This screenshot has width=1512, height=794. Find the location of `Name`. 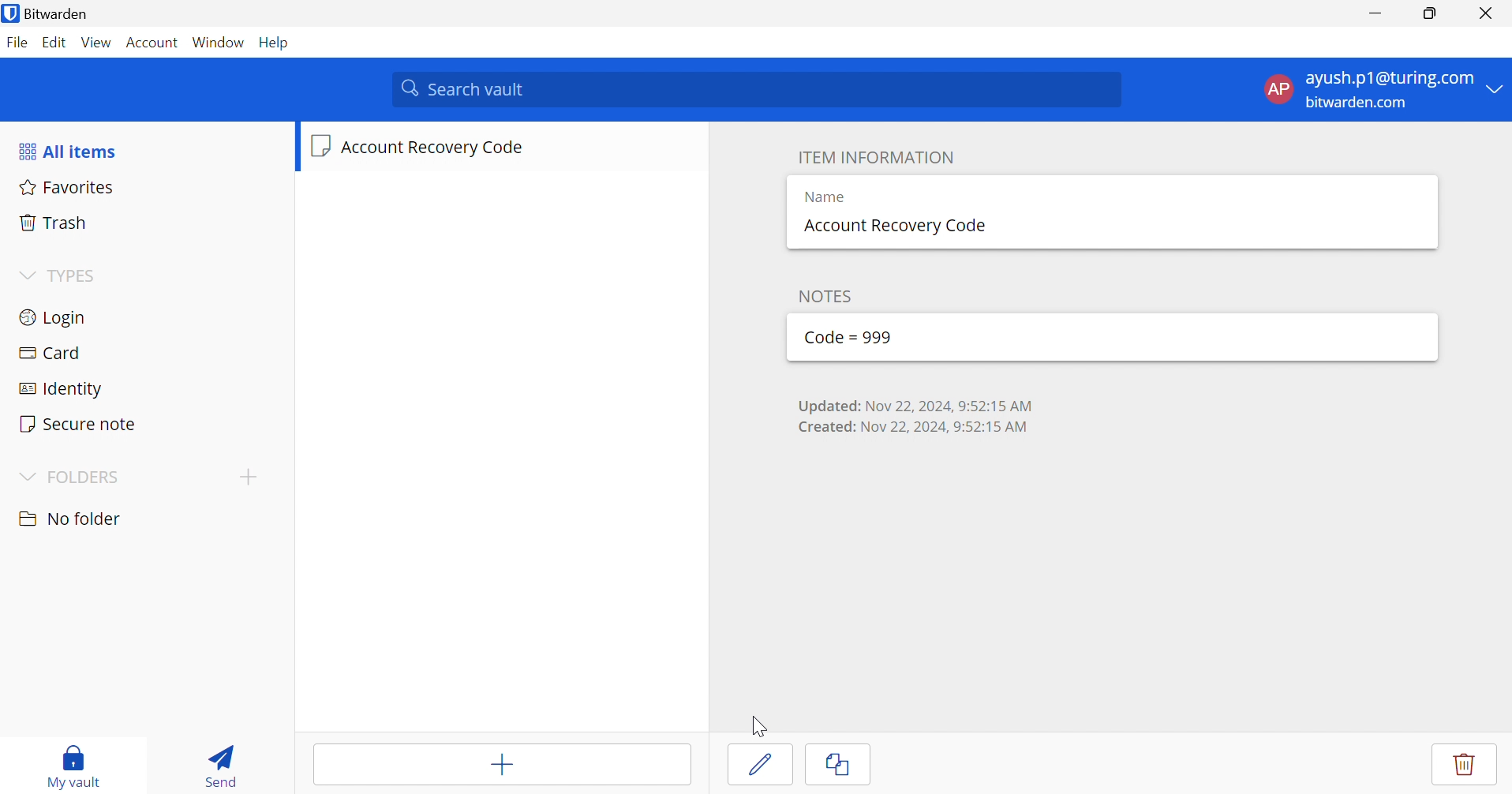

Name is located at coordinates (827, 197).